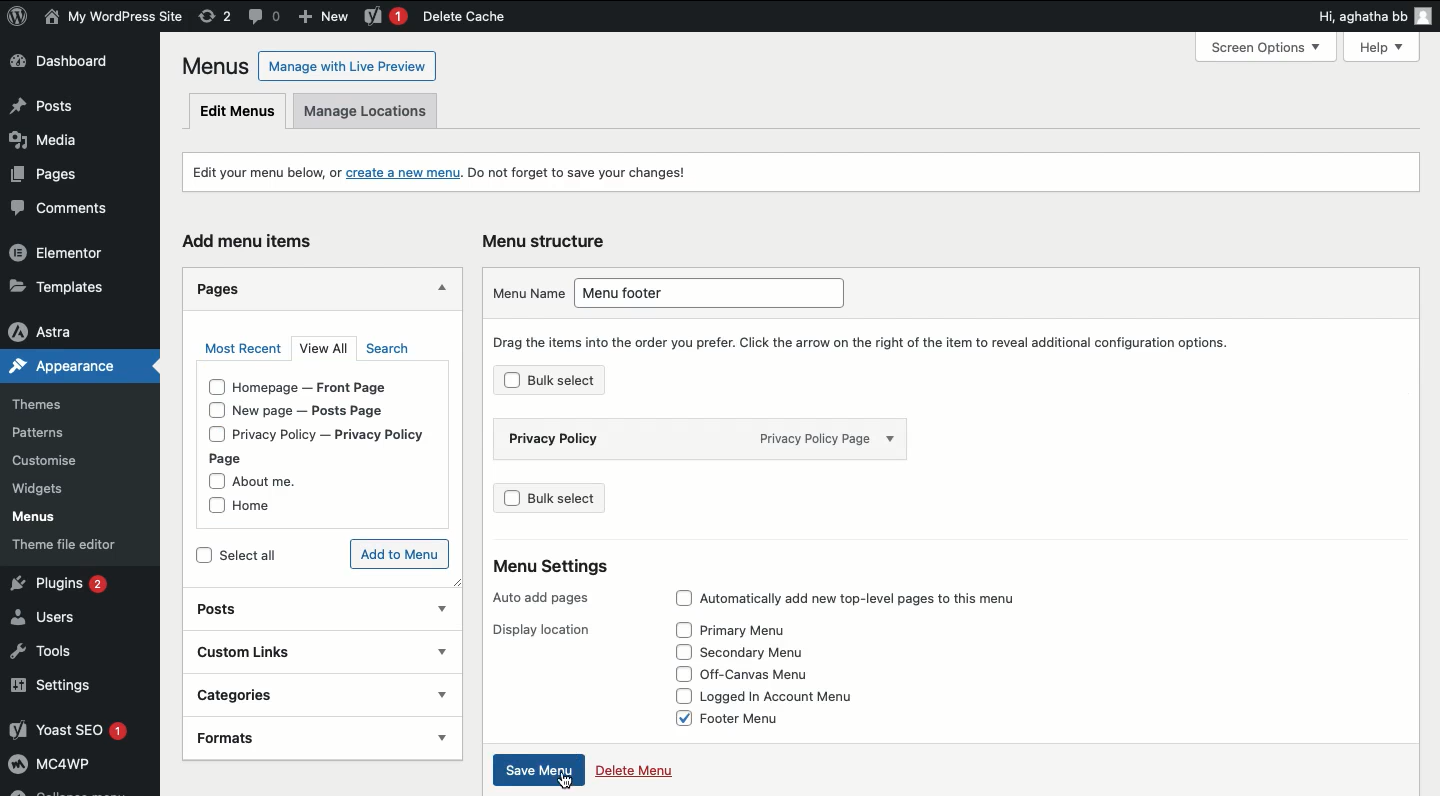  What do you see at coordinates (441, 694) in the screenshot?
I see `show` at bounding box center [441, 694].